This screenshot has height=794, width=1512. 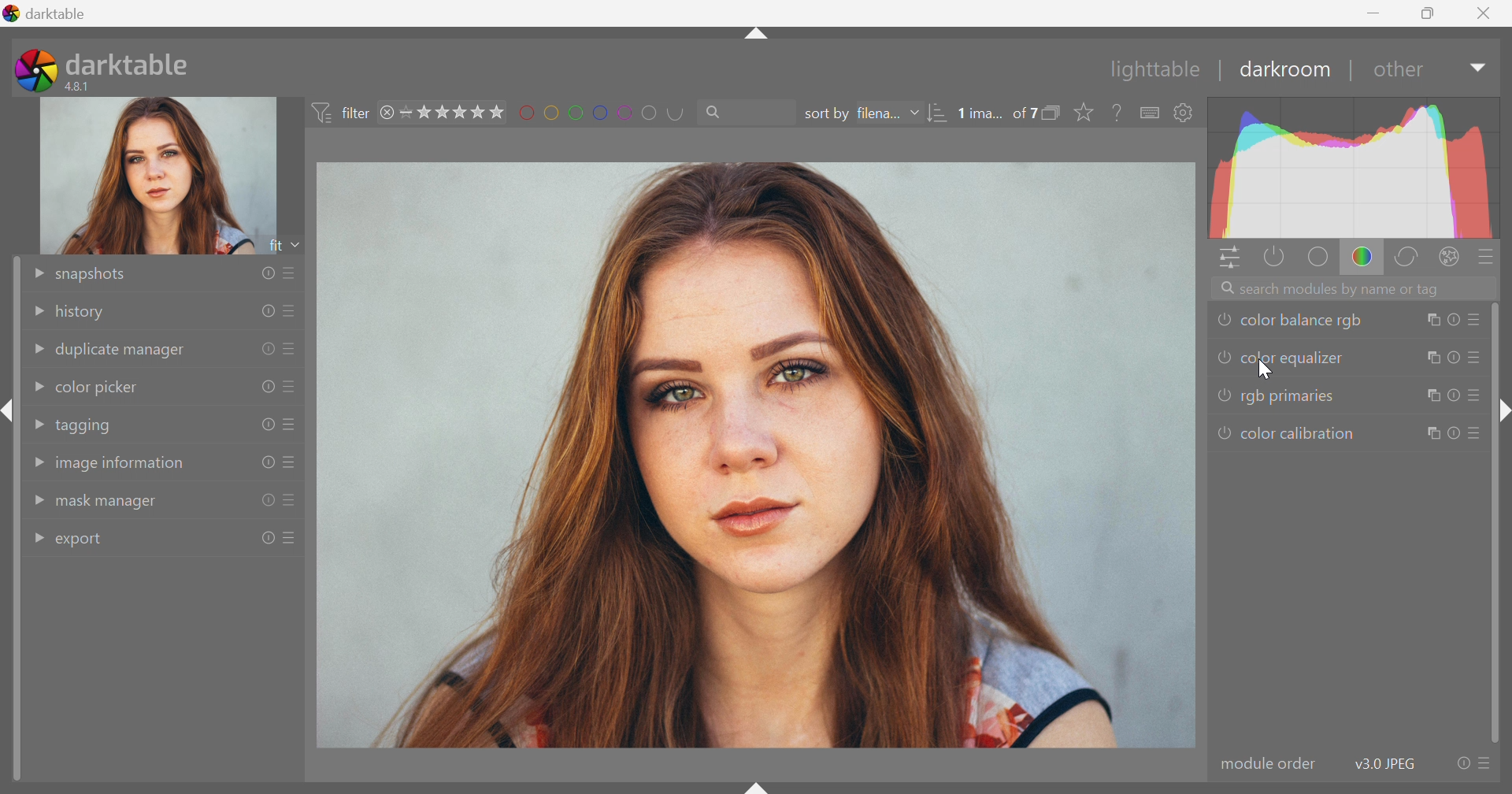 I want to click on presets, so click(x=1486, y=765).